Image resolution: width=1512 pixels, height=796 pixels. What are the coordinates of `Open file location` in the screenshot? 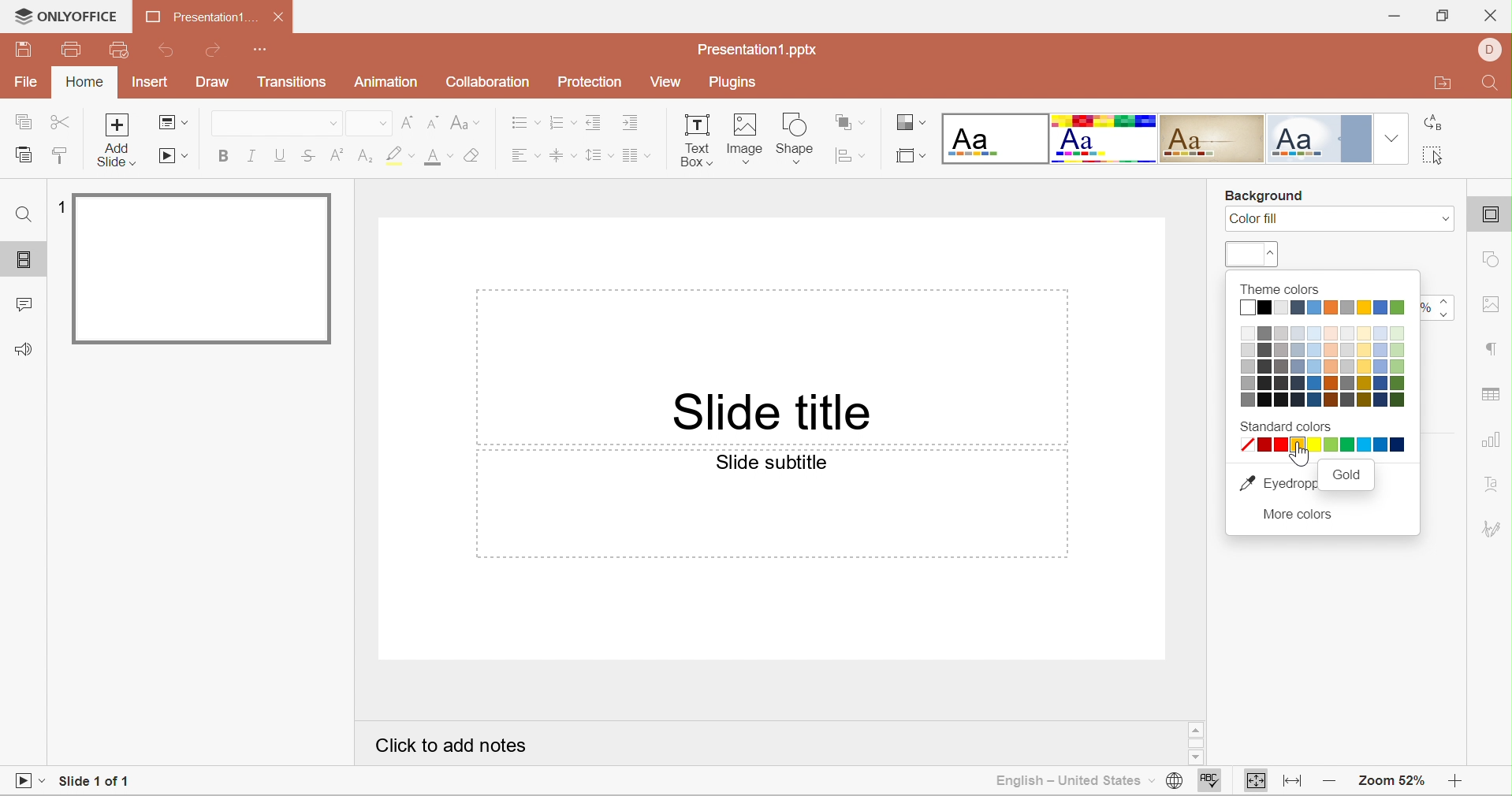 It's located at (1443, 85).